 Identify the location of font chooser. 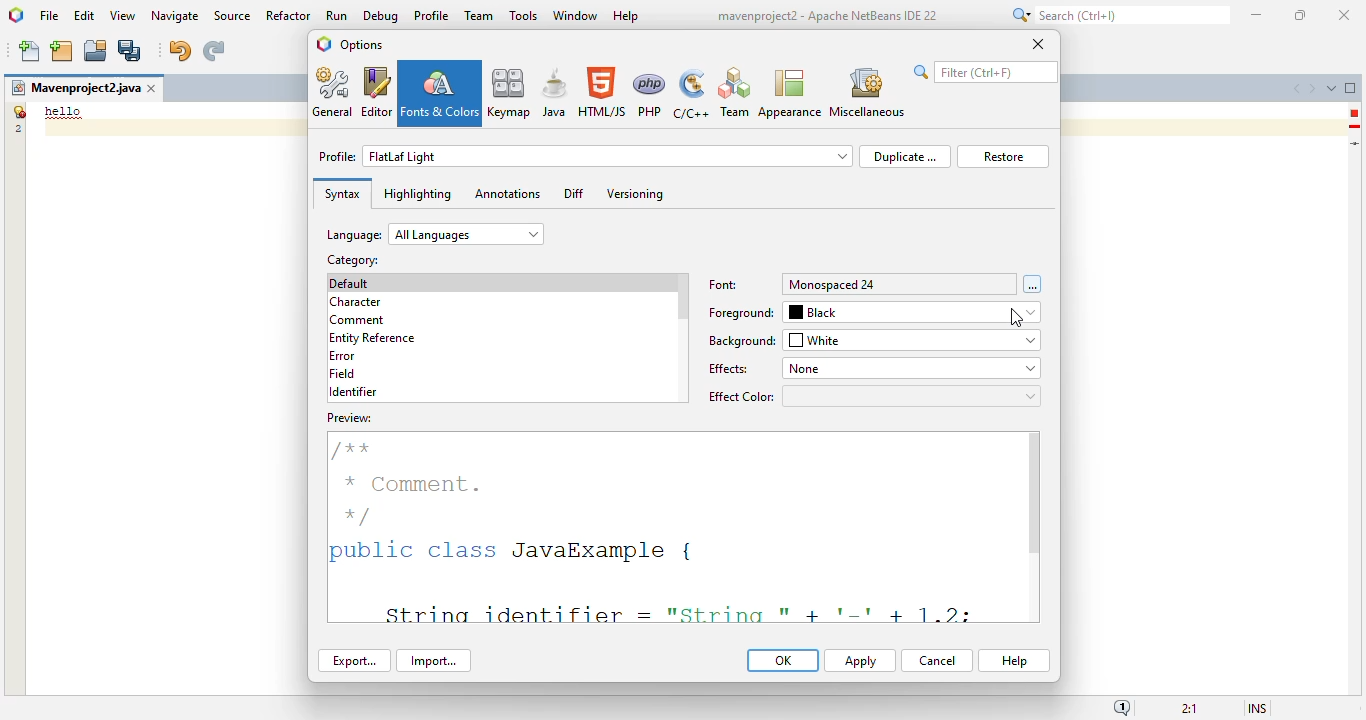
(1032, 284).